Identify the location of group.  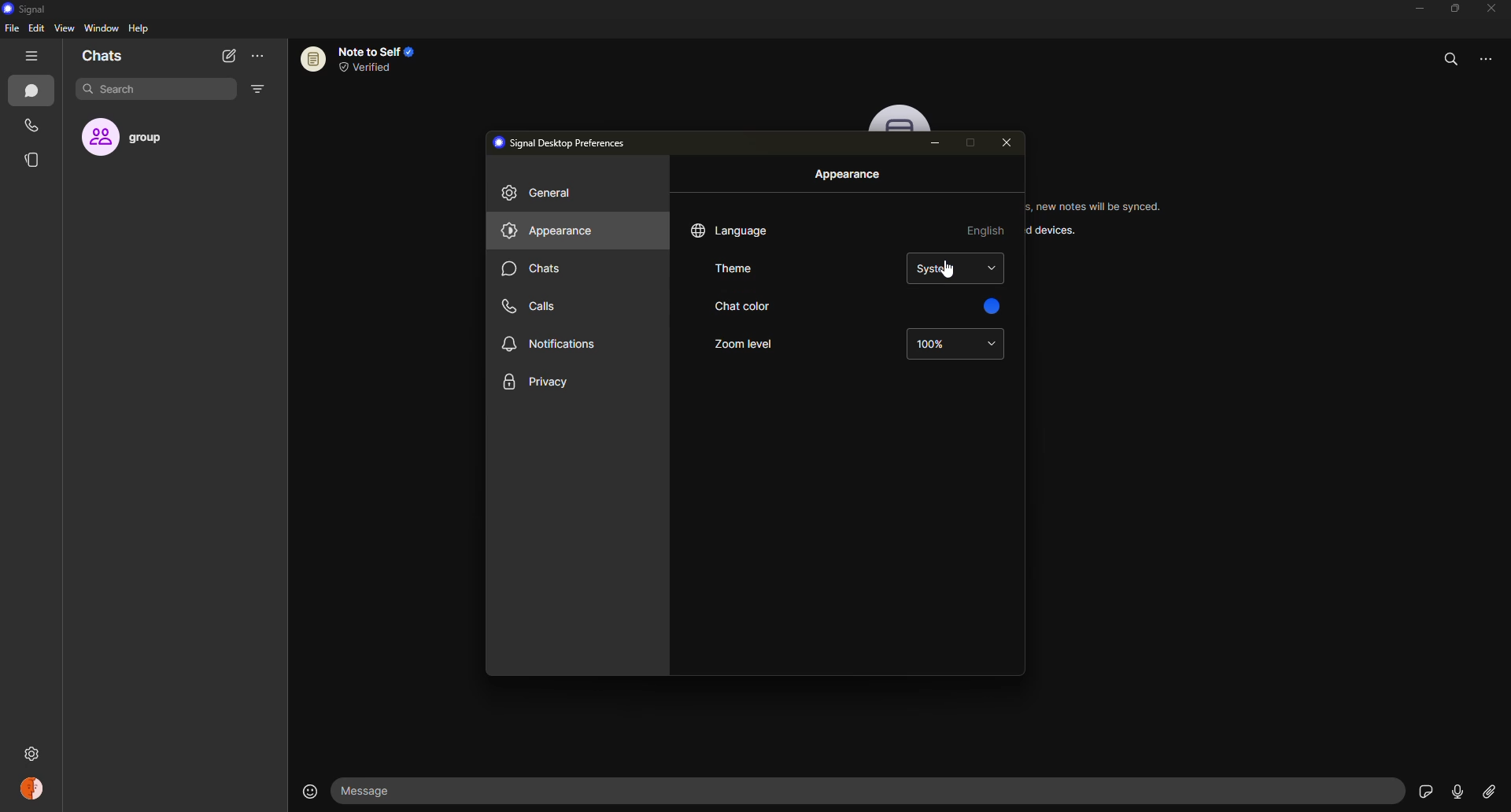
(139, 138).